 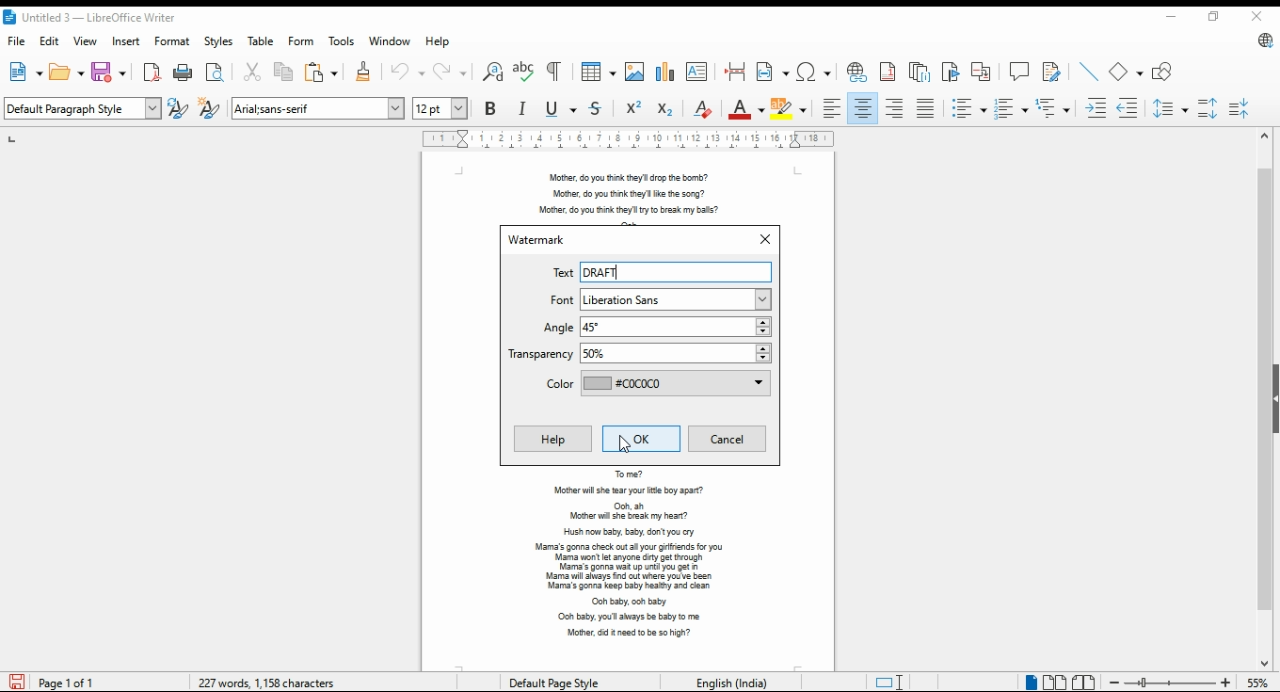 I want to click on window, so click(x=390, y=41).